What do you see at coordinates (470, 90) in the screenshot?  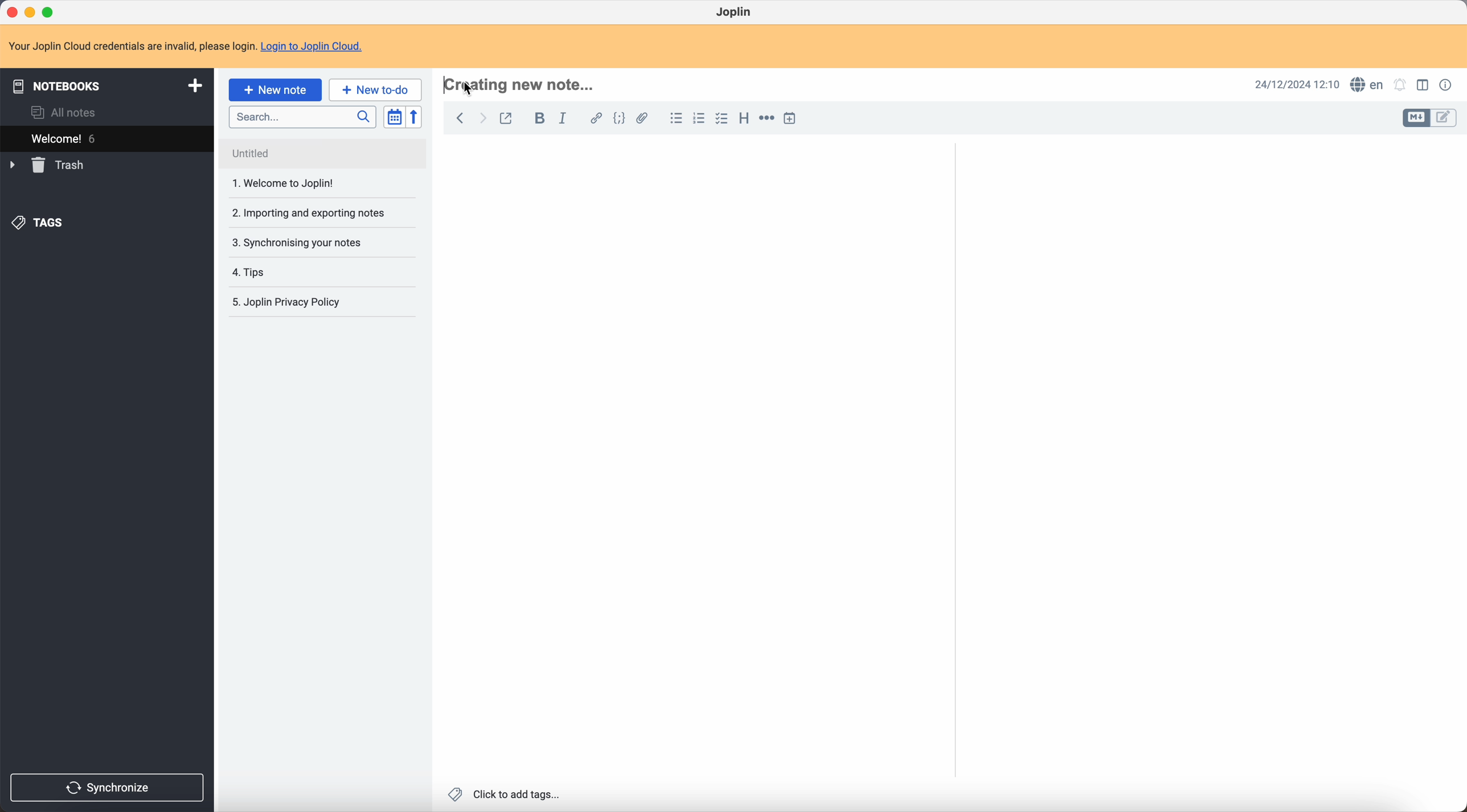 I see `Cursor` at bounding box center [470, 90].